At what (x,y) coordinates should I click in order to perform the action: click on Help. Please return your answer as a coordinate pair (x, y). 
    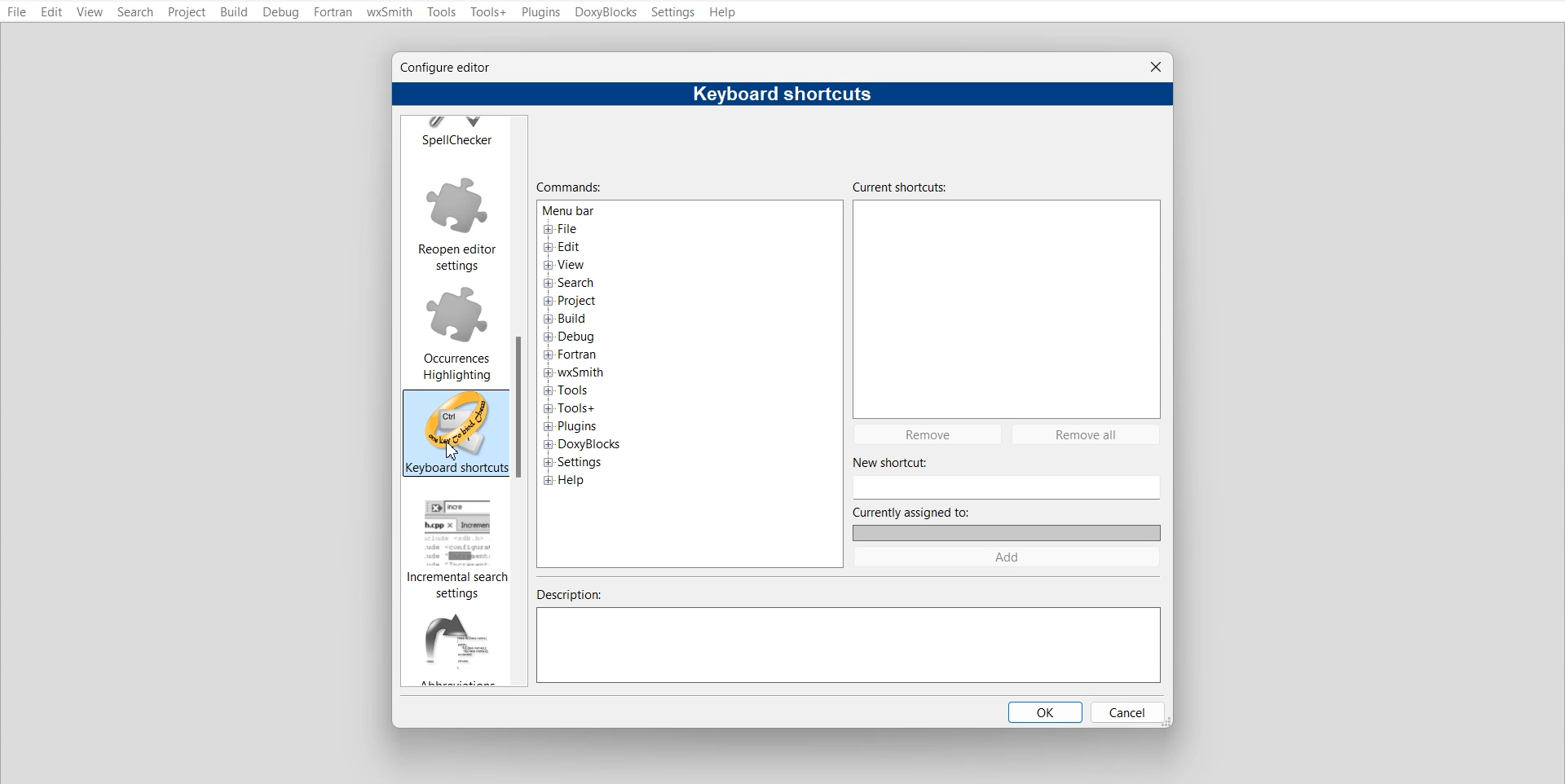
    Looking at the image, I should click on (725, 12).